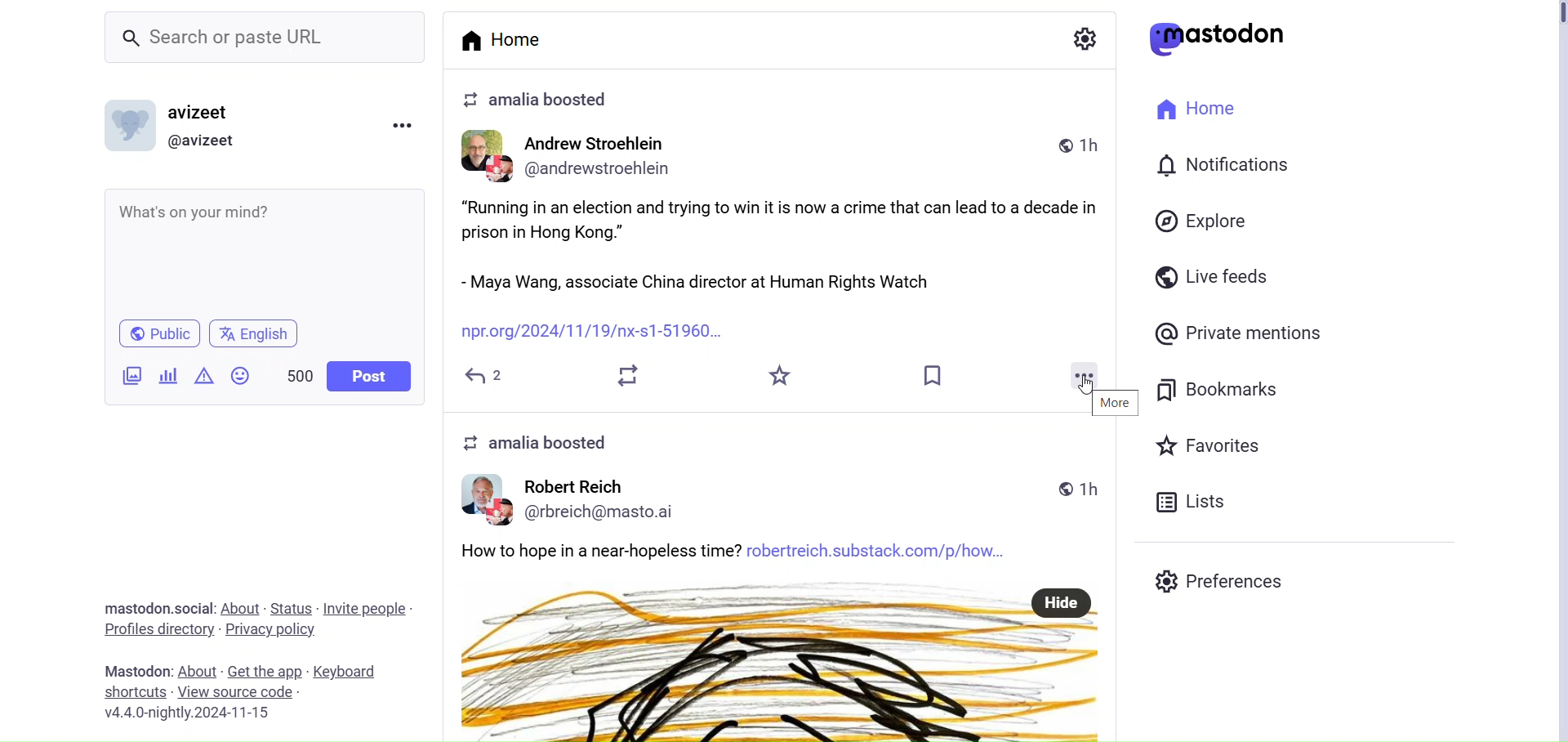 This screenshot has width=1568, height=742. What do you see at coordinates (487, 376) in the screenshot?
I see `Reply` at bounding box center [487, 376].